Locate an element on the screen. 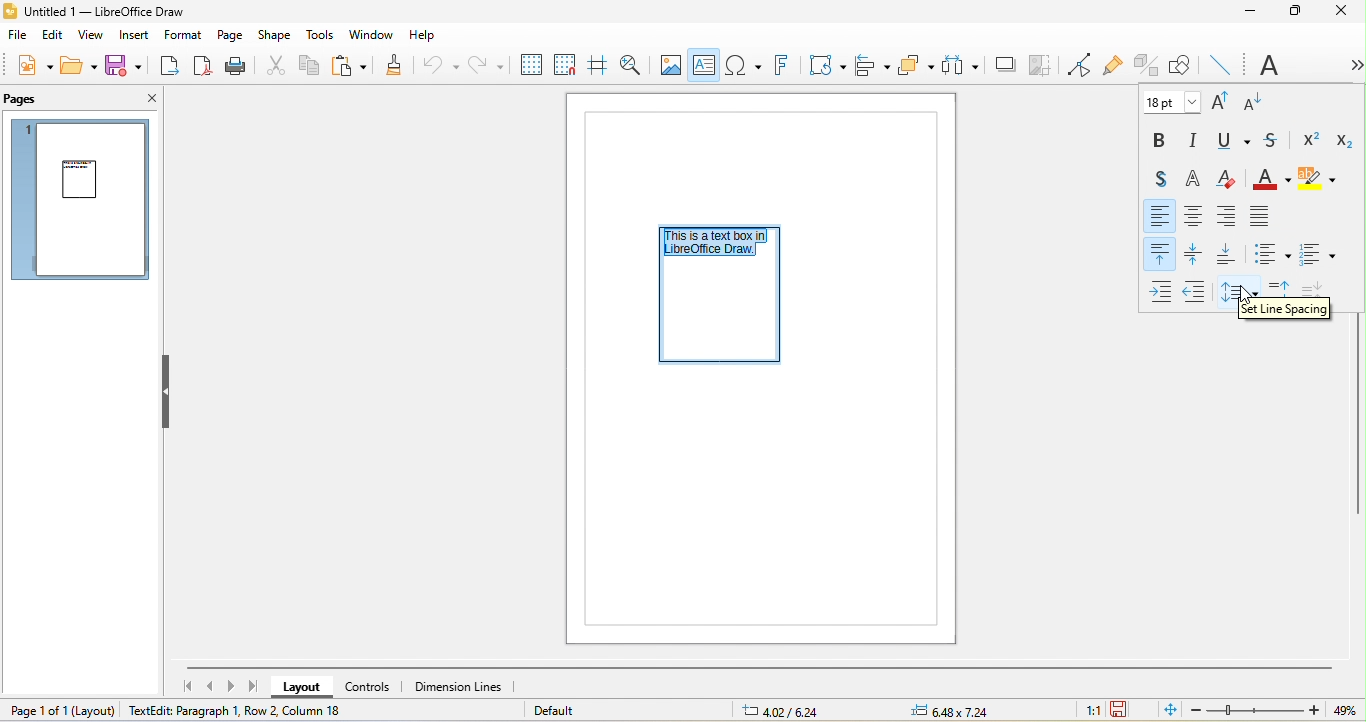 The height and width of the screenshot is (722, 1366). clone formatting is located at coordinates (400, 65).